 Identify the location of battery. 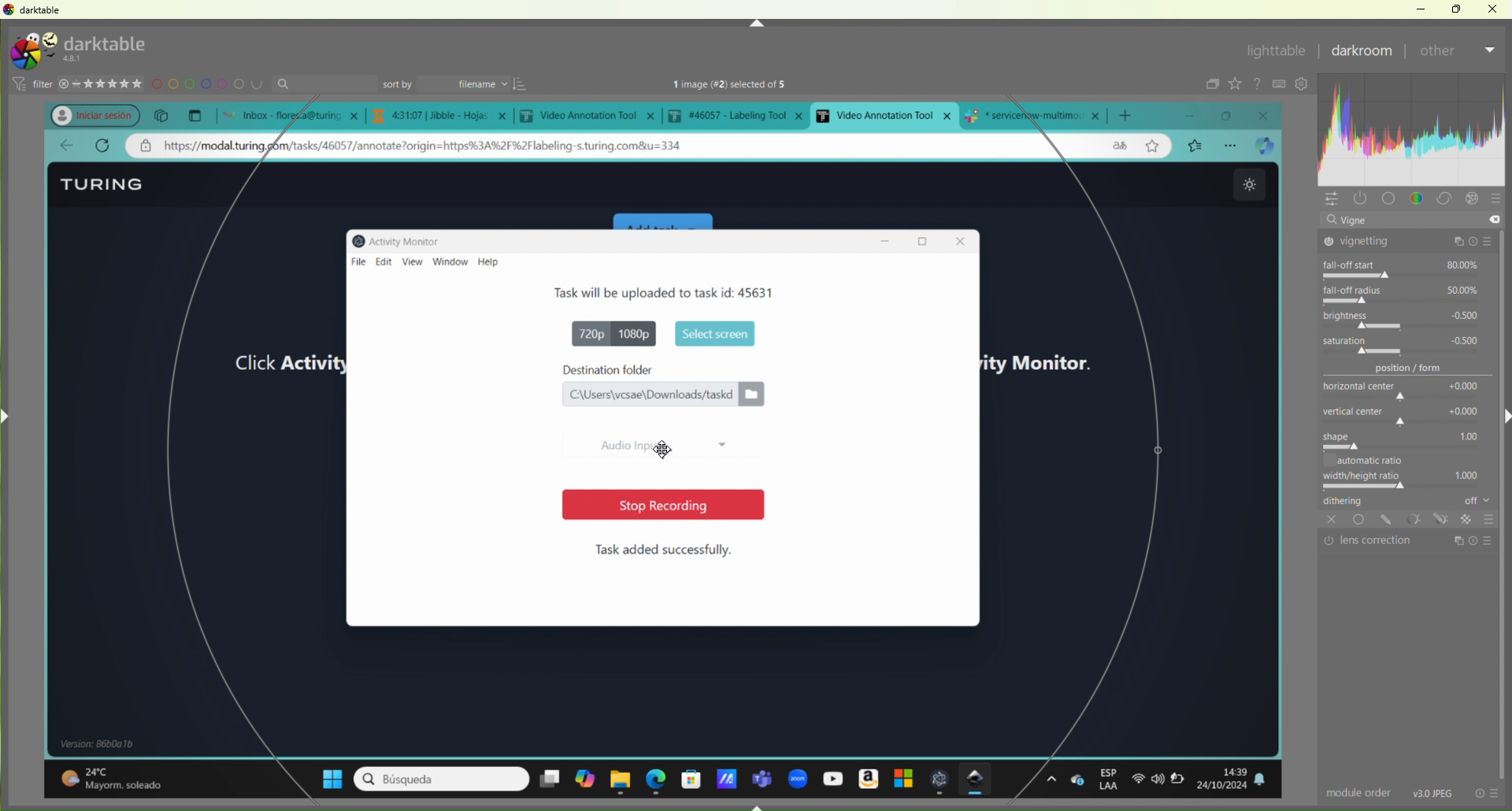
(1183, 783).